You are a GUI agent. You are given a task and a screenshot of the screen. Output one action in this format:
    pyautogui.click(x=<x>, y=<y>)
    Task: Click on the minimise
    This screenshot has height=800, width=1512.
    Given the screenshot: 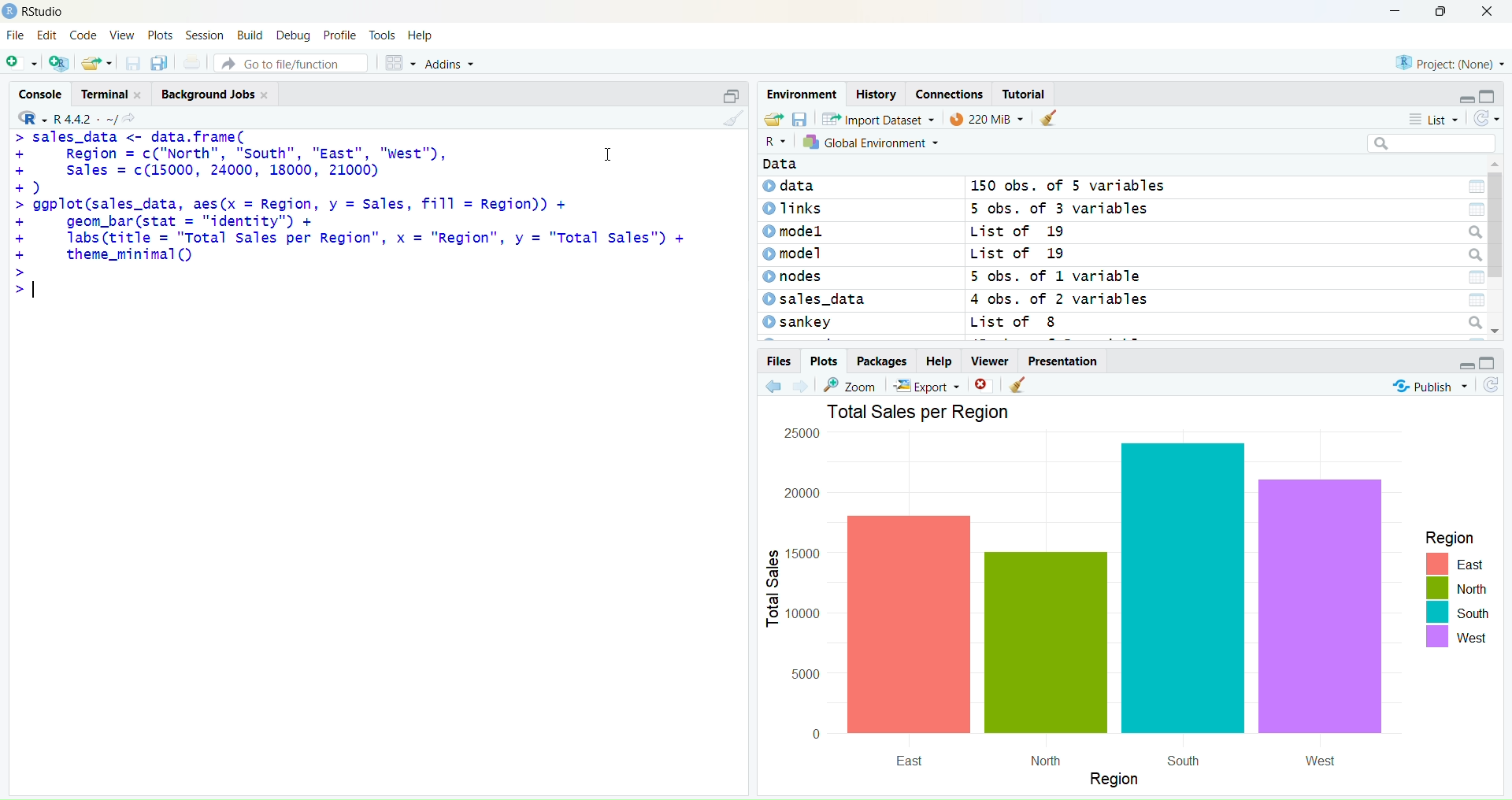 What is the action you would take?
    pyautogui.click(x=1464, y=365)
    